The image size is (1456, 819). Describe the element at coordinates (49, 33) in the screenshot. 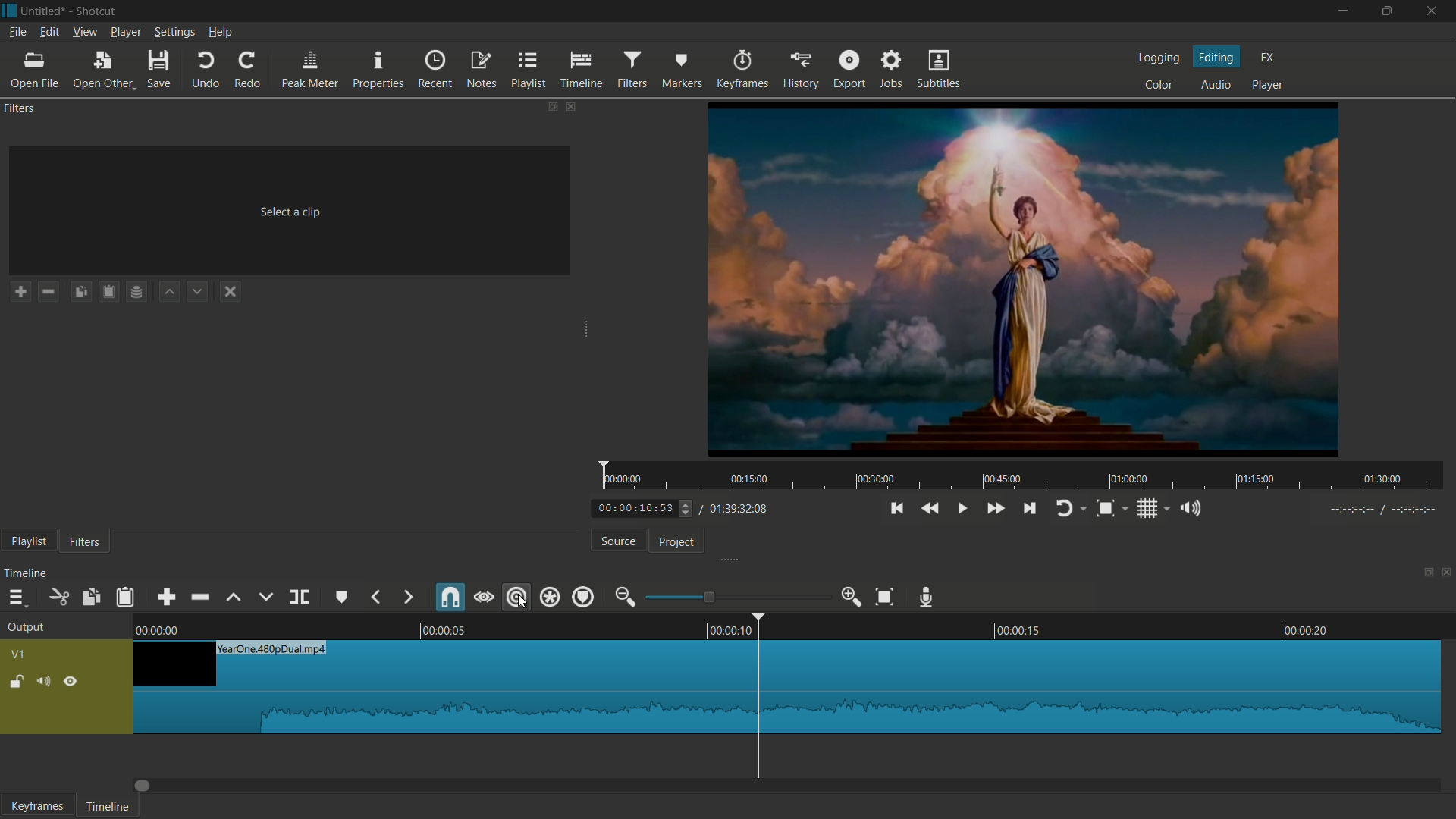

I see `edit menu` at that location.